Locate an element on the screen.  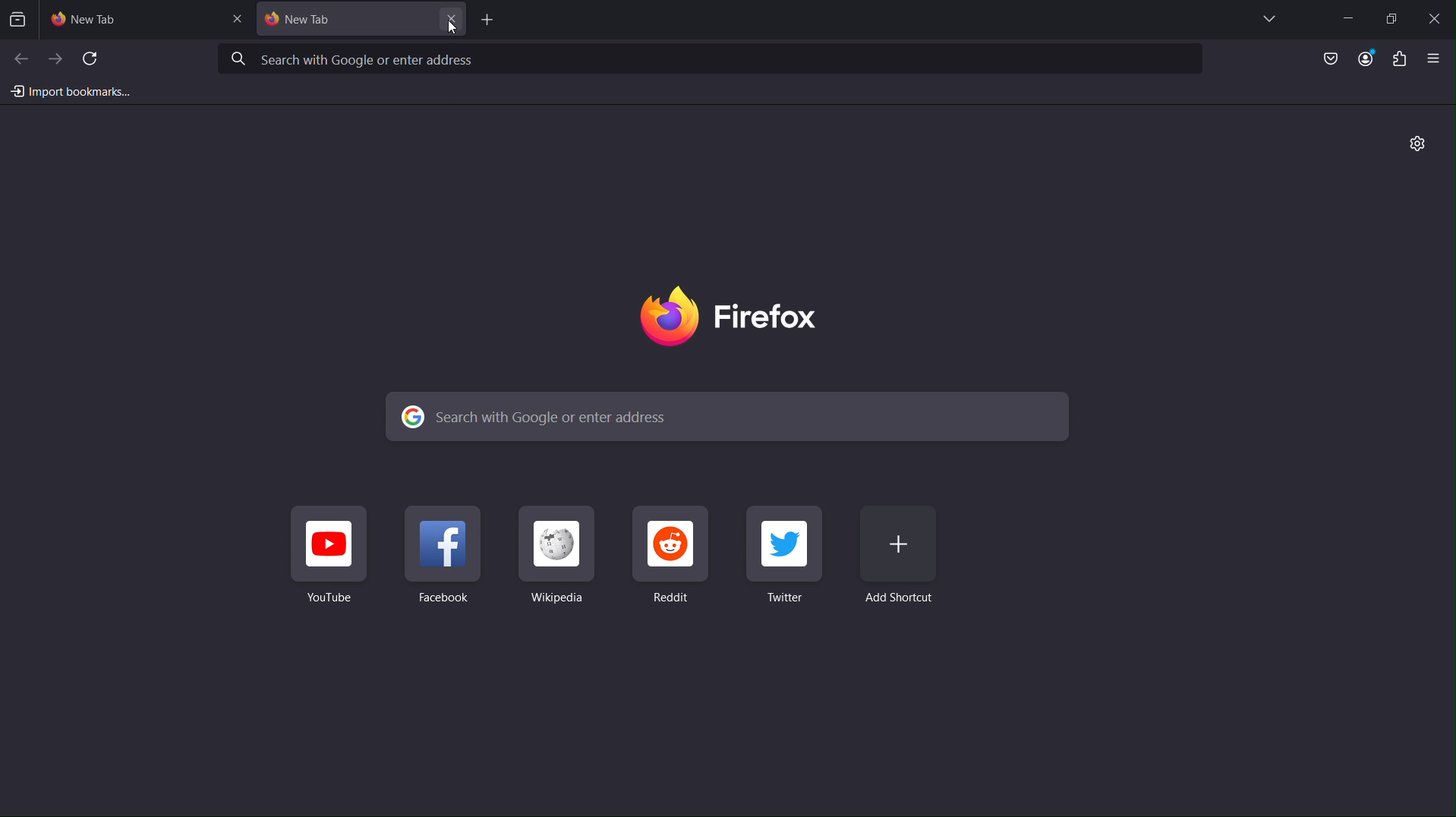
Next Tab is located at coordinates (54, 57).